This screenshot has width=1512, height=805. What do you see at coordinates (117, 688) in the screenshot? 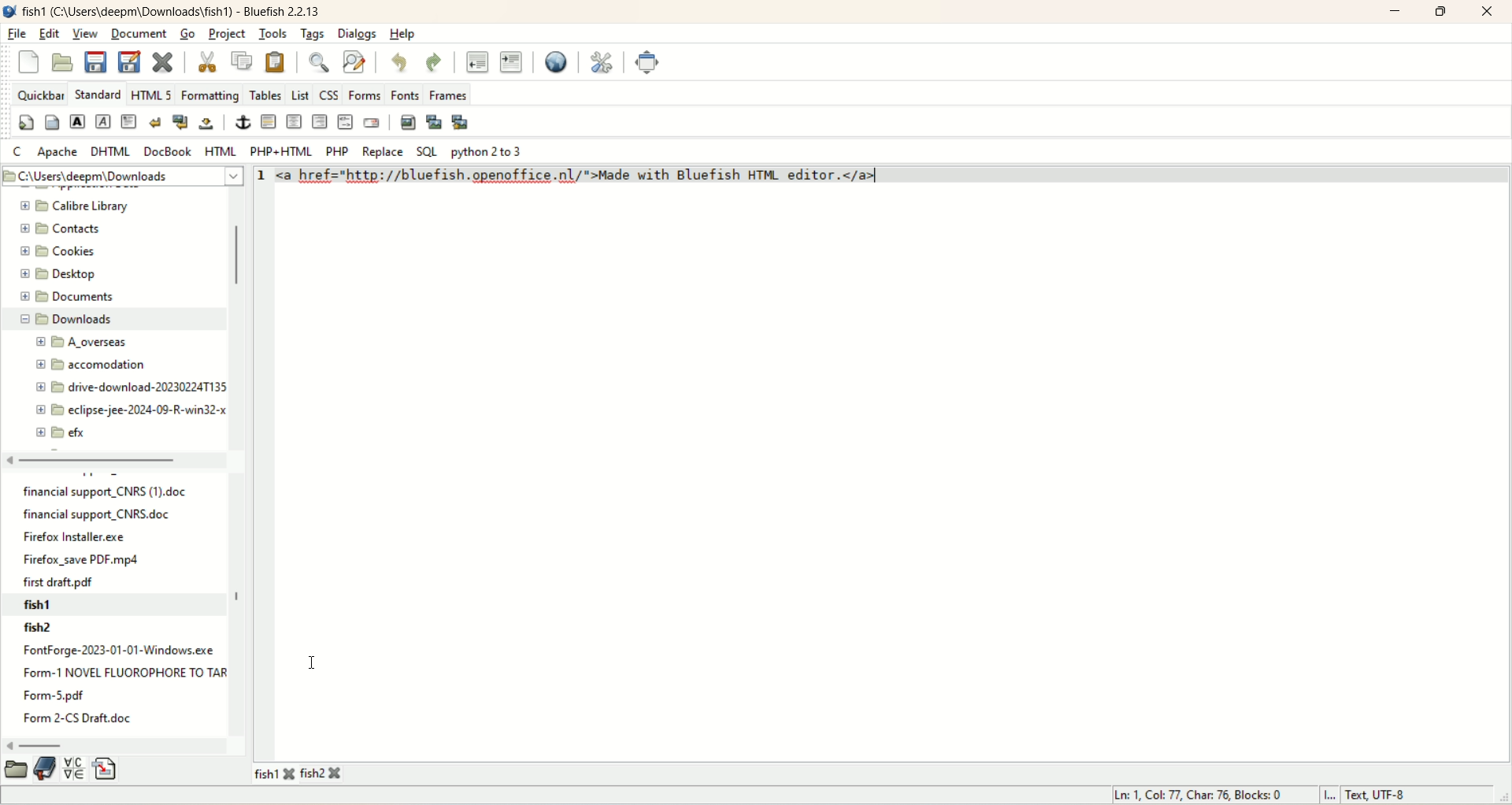
I see `text` at bounding box center [117, 688].